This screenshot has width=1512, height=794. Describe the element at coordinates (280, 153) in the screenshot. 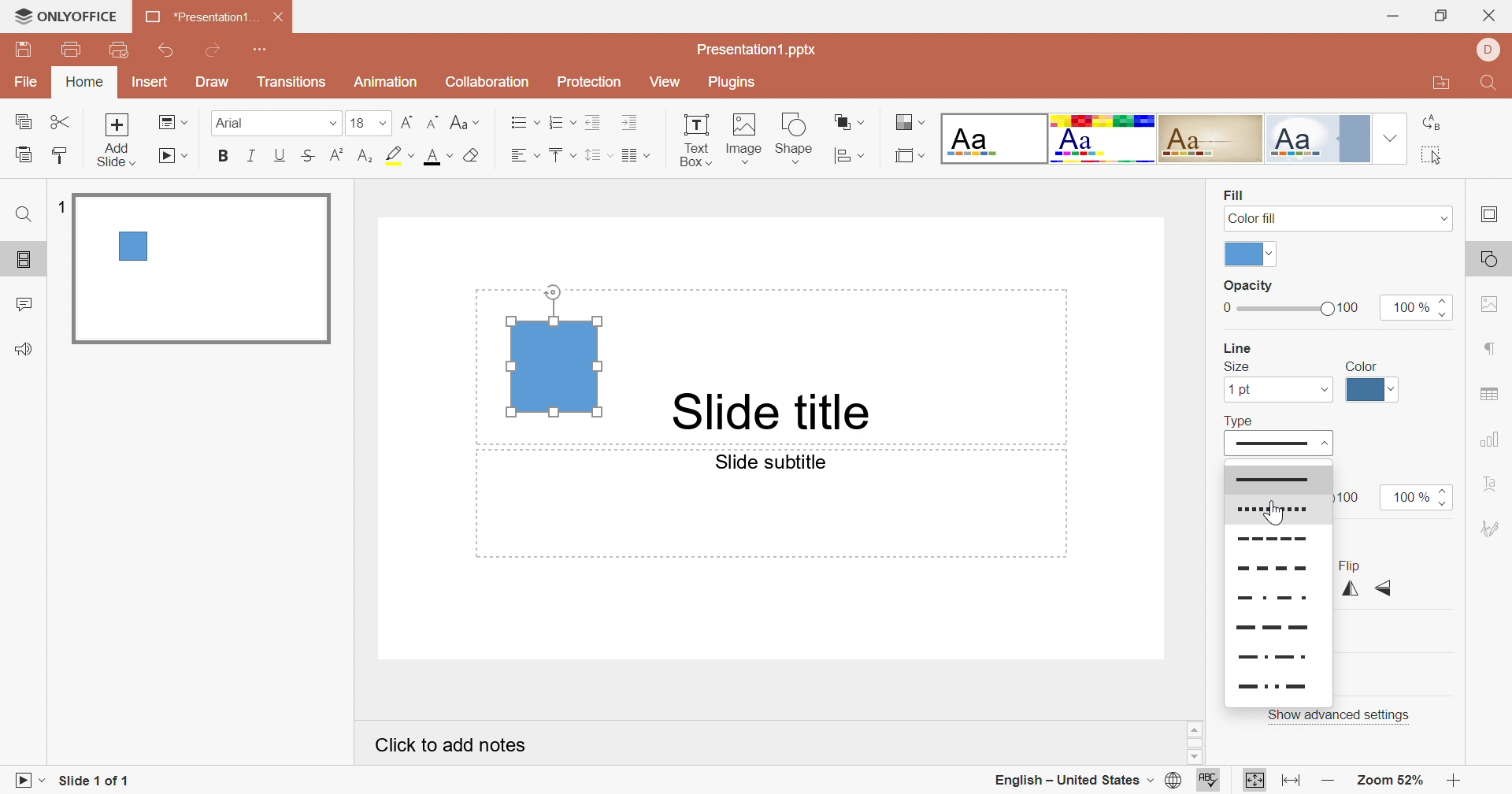

I see `Underline` at that location.